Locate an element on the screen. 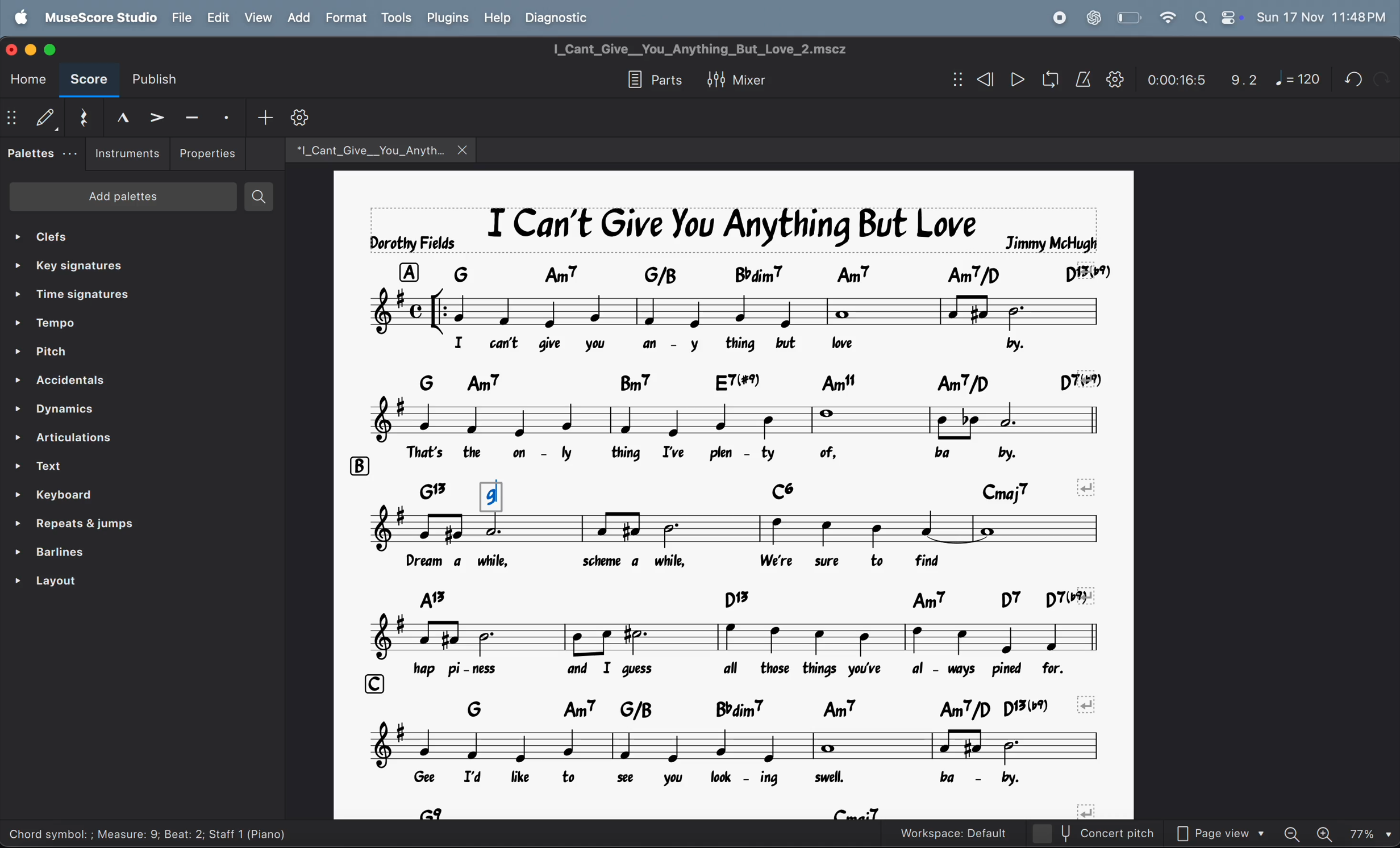 This screenshot has width=1400, height=848. lyrics is located at coordinates (732, 344).